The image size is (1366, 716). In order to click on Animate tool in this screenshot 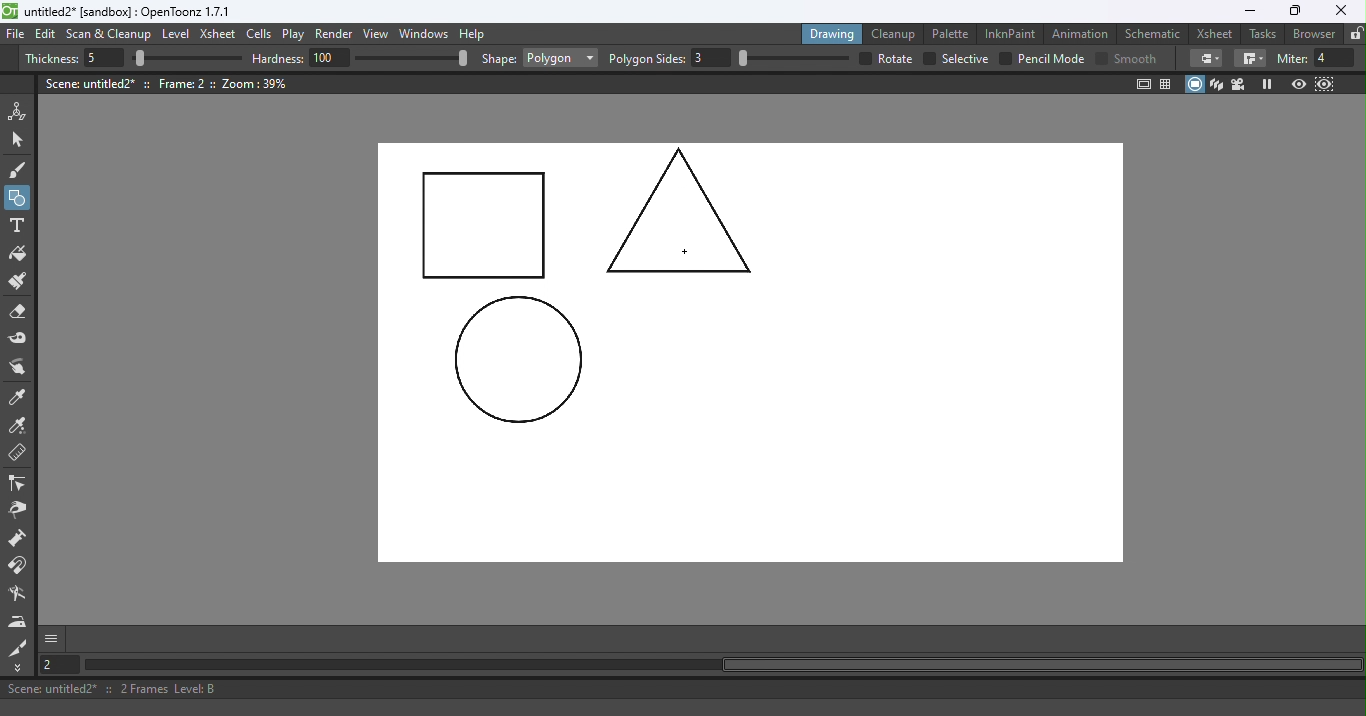, I will do `click(21, 111)`.